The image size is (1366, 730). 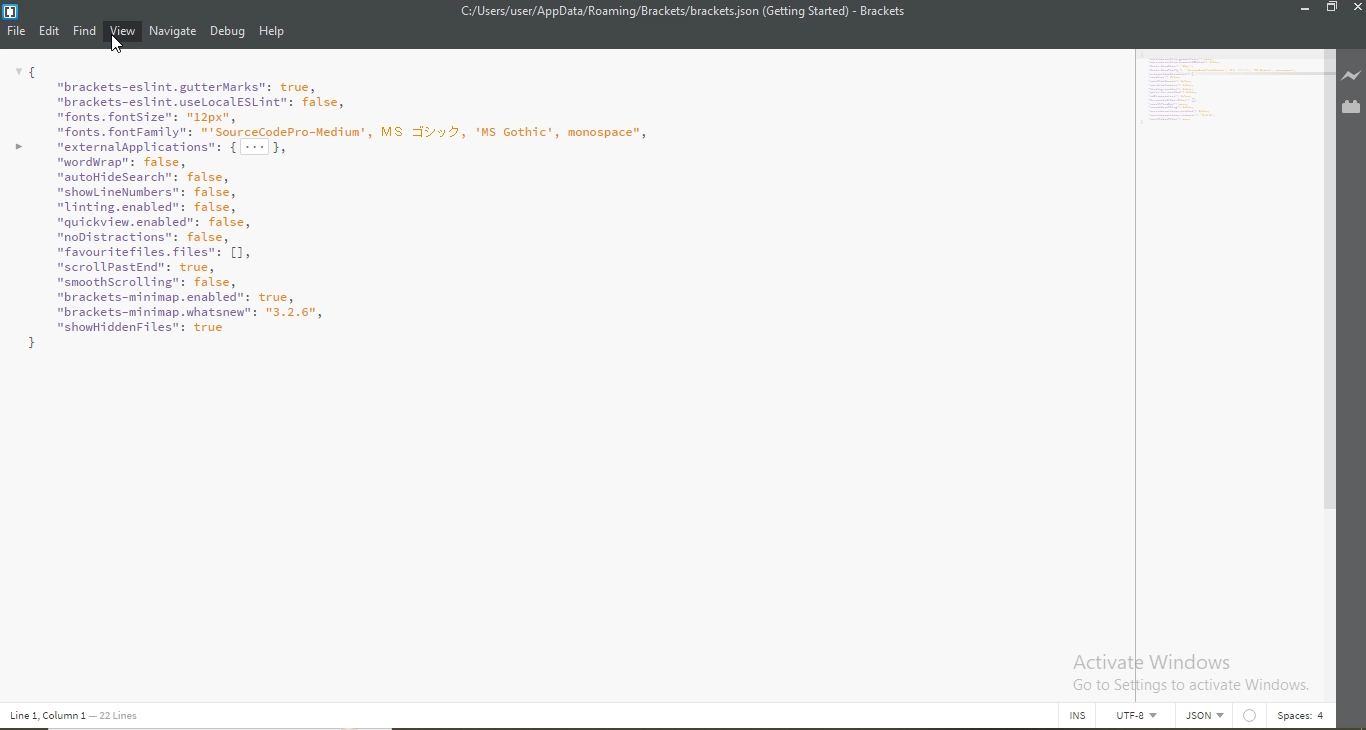 What do you see at coordinates (79, 716) in the screenshot?
I see `Line code data` at bounding box center [79, 716].